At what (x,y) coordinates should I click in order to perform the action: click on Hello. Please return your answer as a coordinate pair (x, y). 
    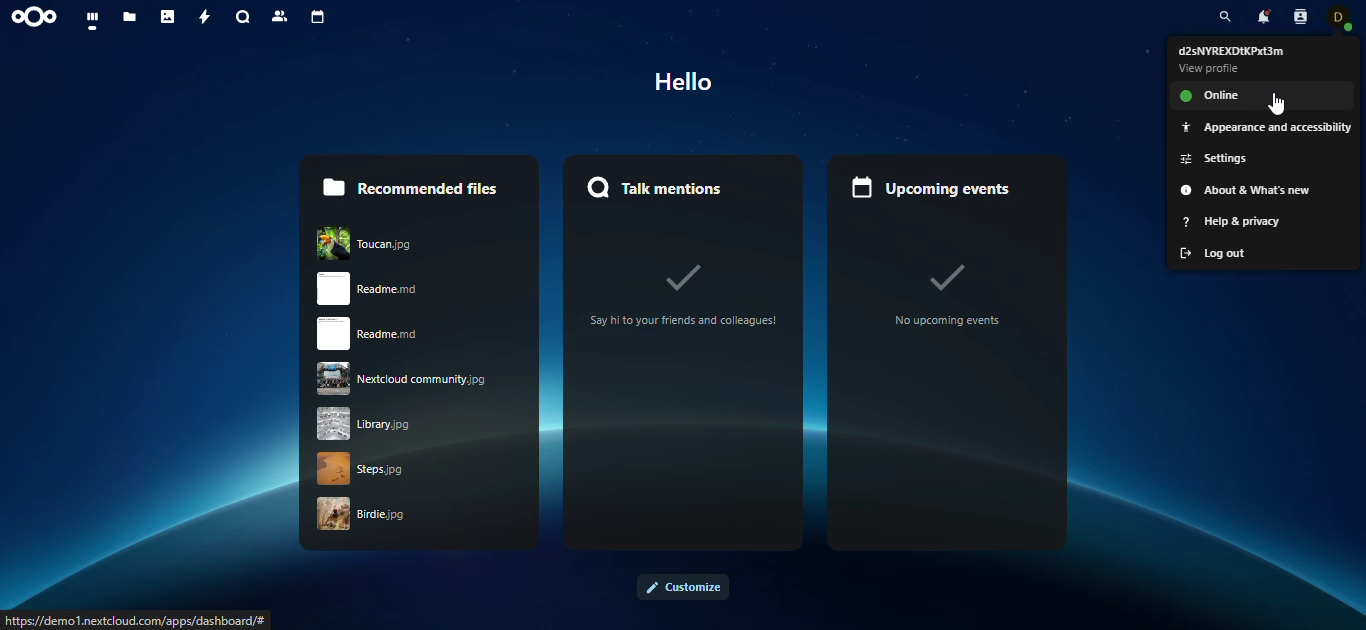
    Looking at the image, I should click on (683, 83).